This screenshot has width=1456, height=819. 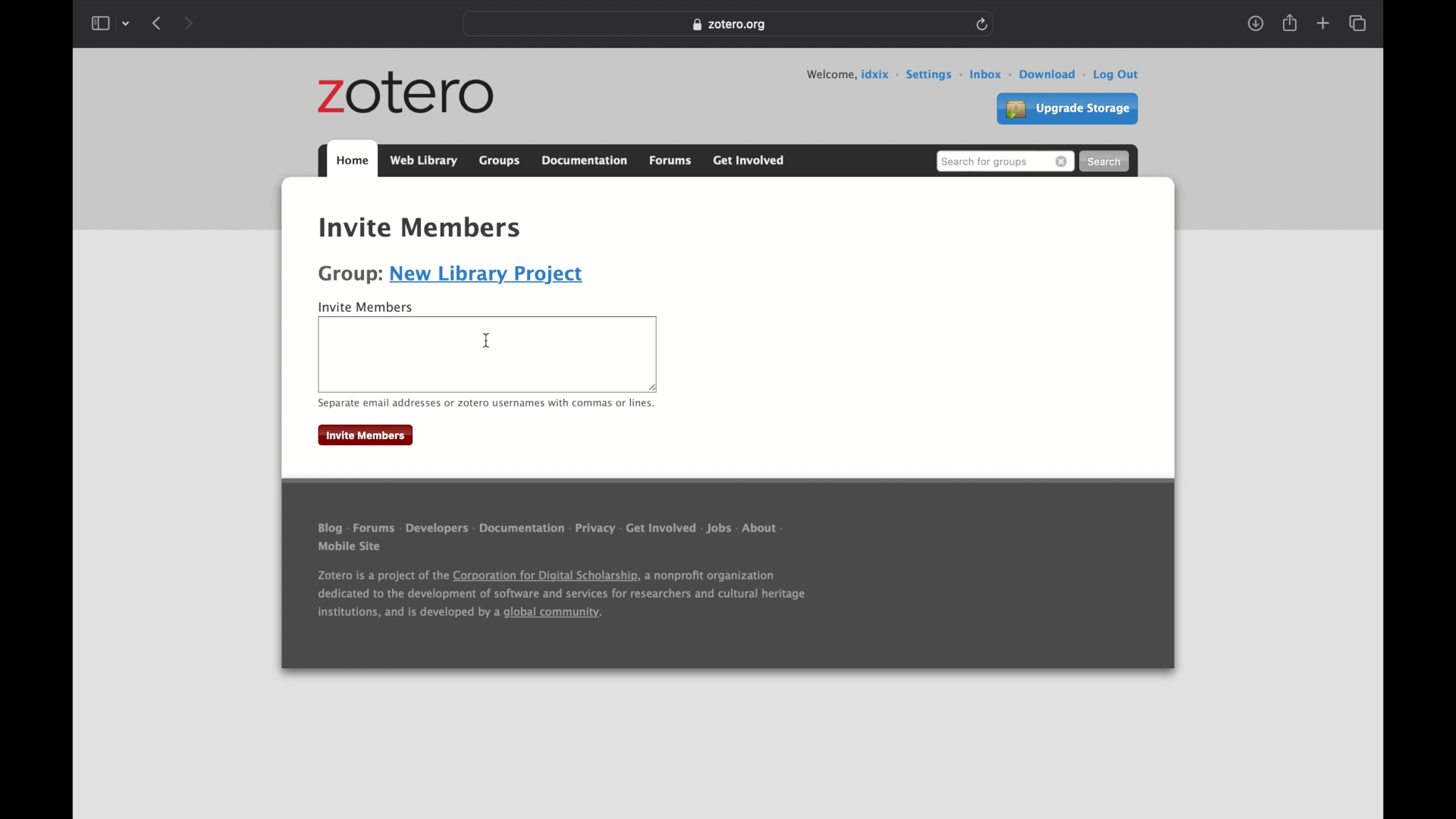 I want to click on forums, so click(x=673, y=160).